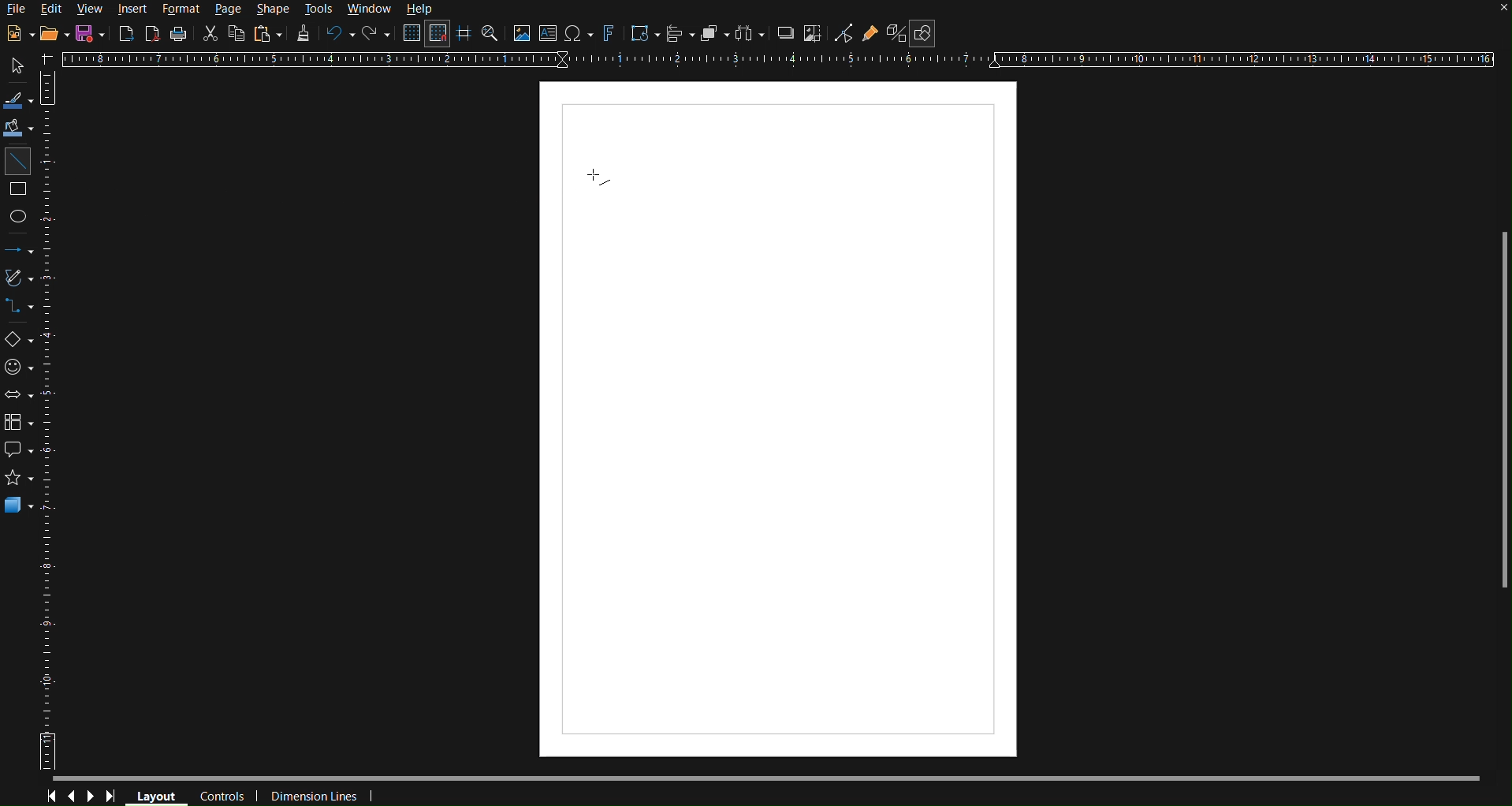 The width and height of the screenshot is (1512, 806). I want to click on Paste, so click(266, 34).